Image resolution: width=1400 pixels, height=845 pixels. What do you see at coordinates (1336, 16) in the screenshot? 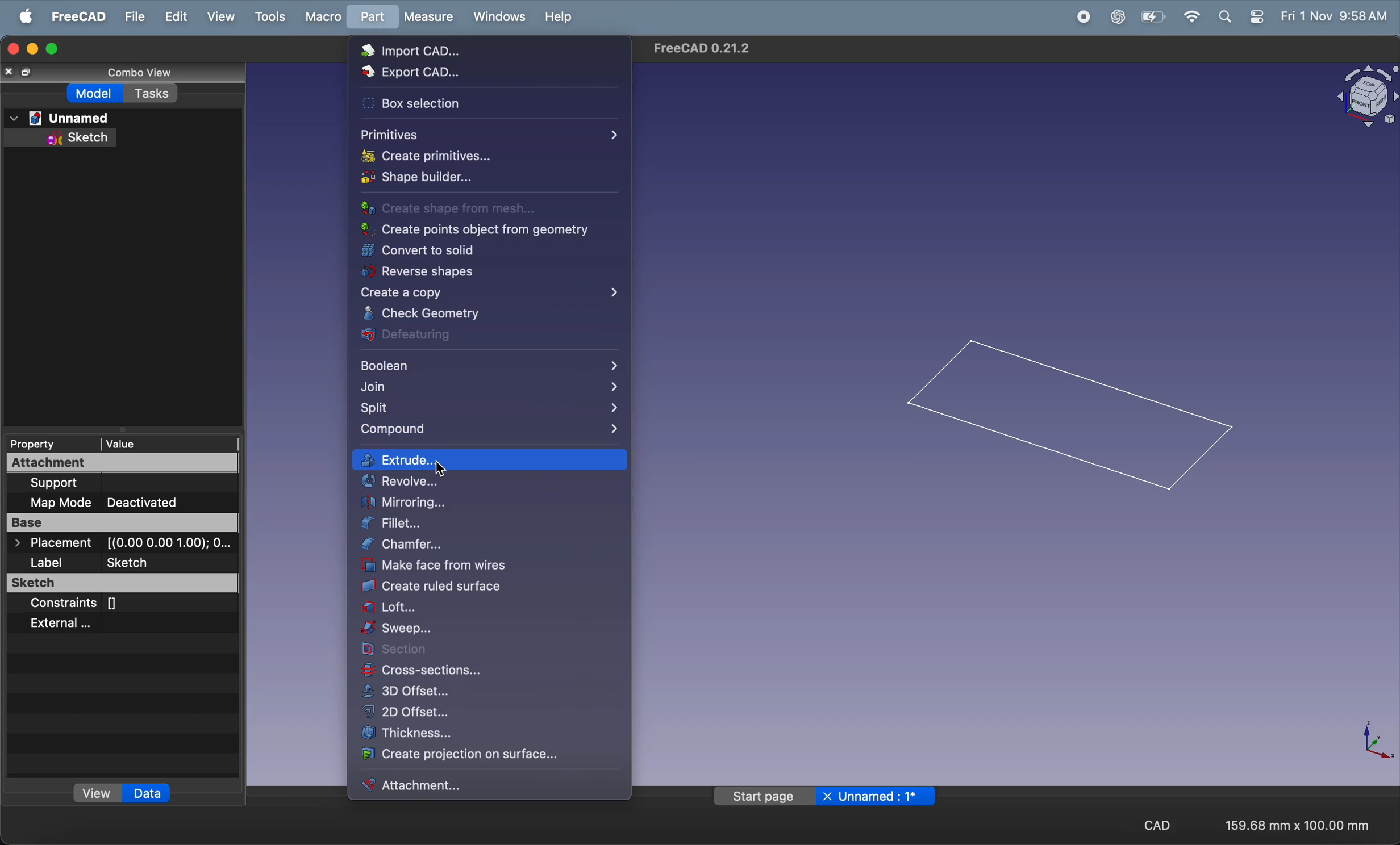
I see `time and date` at bounding box center [1336, 16].